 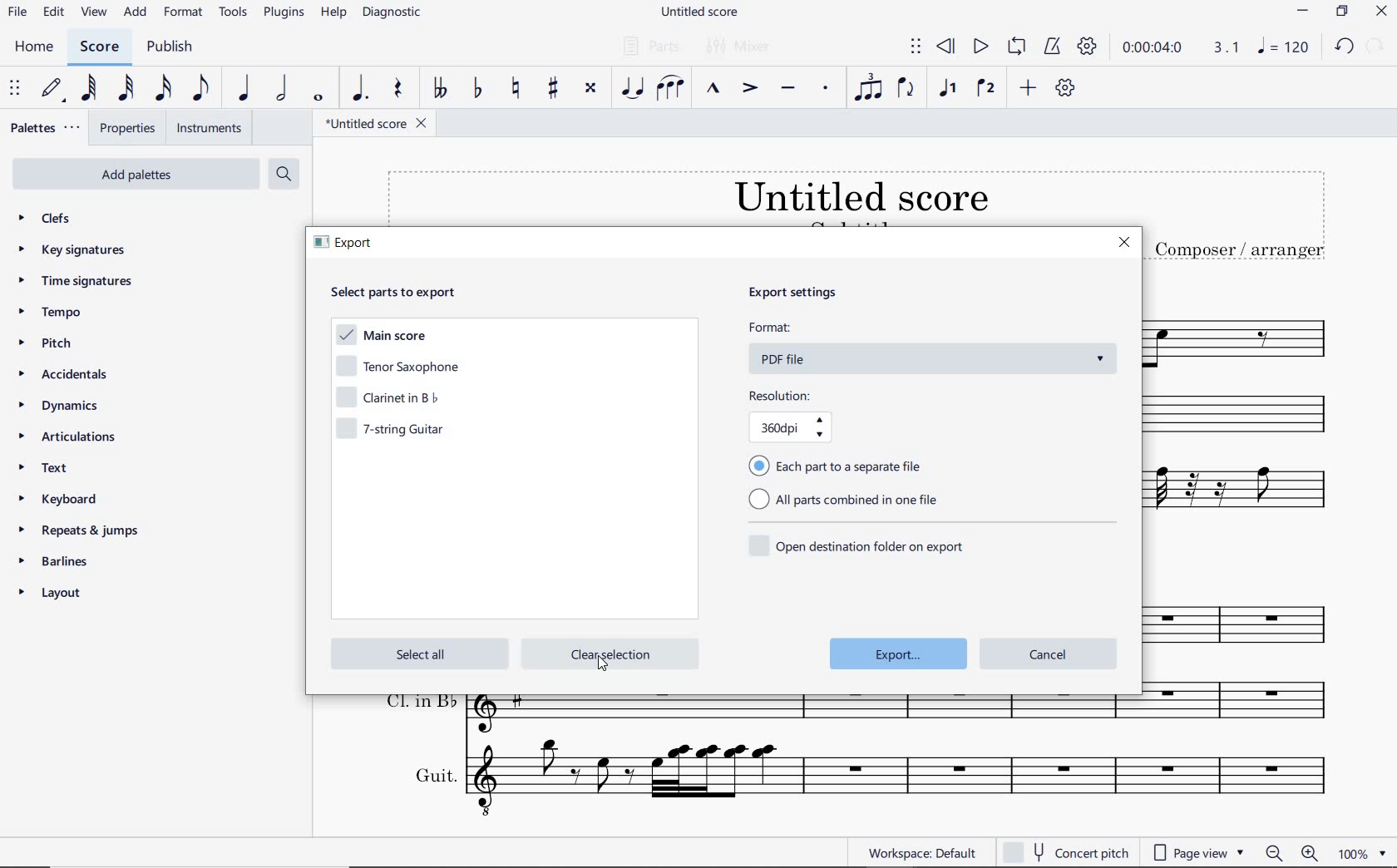 What do you see at coordinates (1015, 48) in the screenshot?
I see `LOOP PLAYBACK` at bounding box center [1015, 48].